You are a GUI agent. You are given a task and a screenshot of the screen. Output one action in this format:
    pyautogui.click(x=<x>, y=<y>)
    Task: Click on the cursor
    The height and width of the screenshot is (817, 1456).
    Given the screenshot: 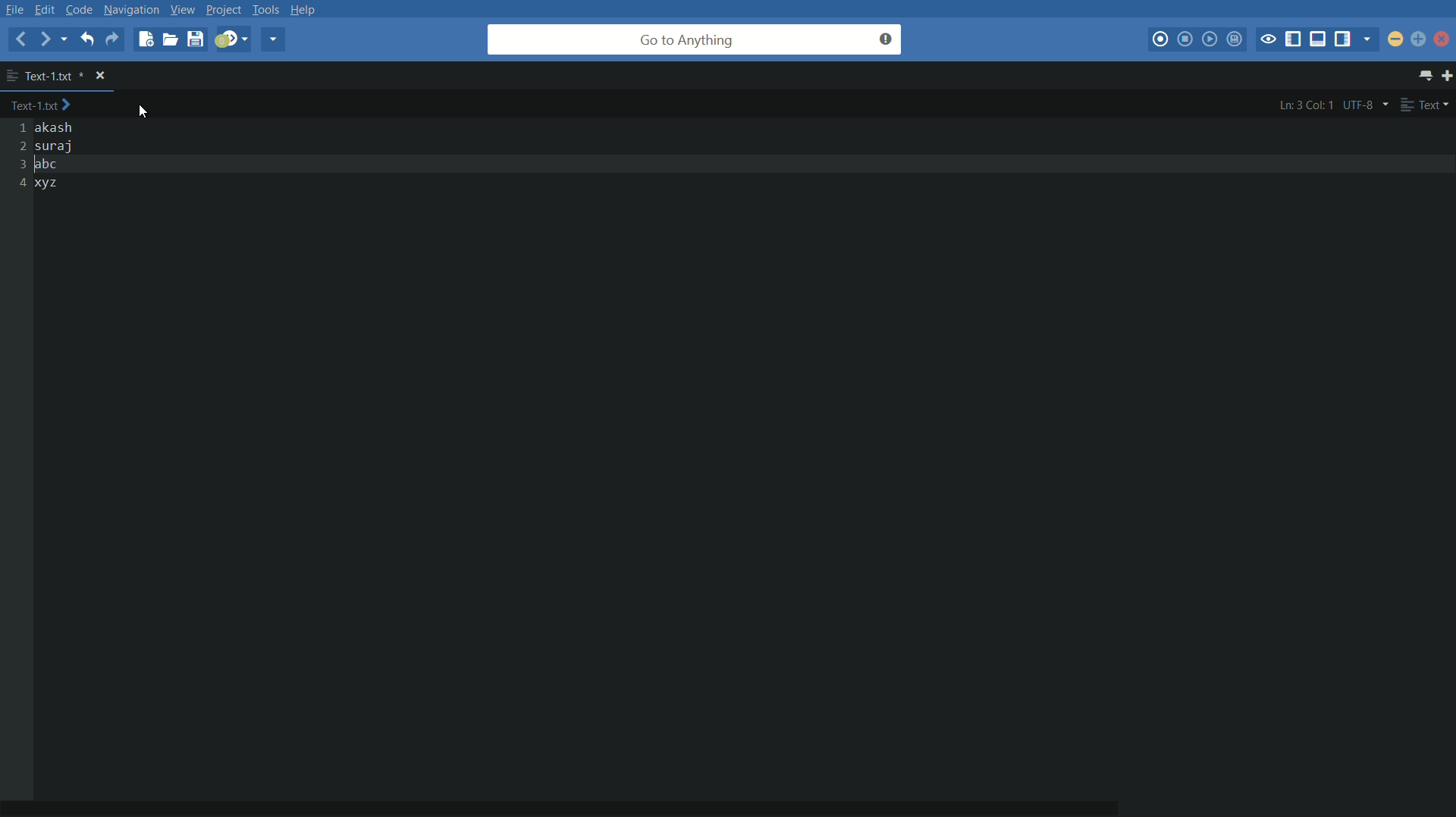 What is the action you would take?
    pyautogui.click(x=147, y=108)
    